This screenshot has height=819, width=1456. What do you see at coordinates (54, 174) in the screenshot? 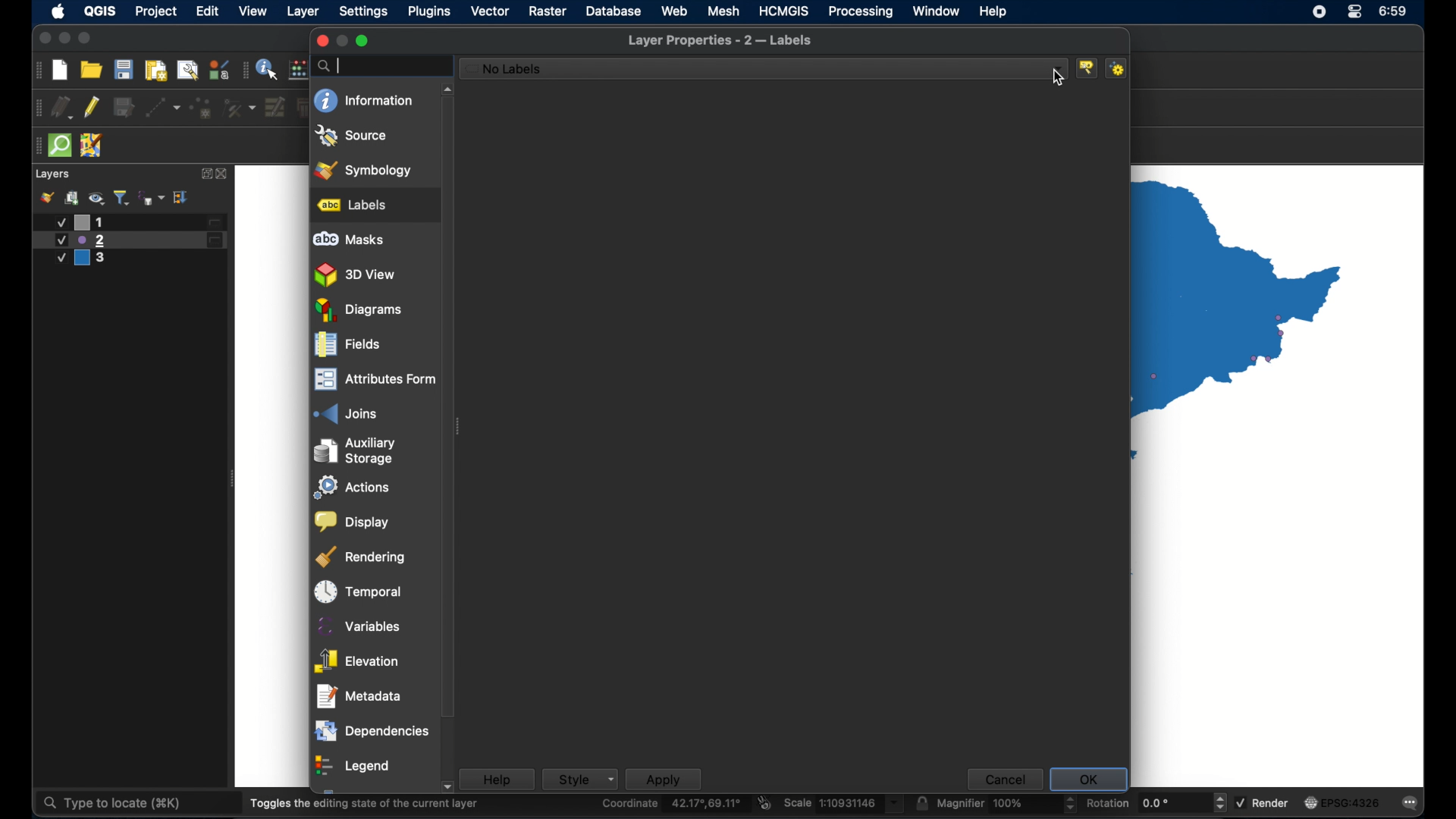
I see `layers` at bounding box center [54, 174].